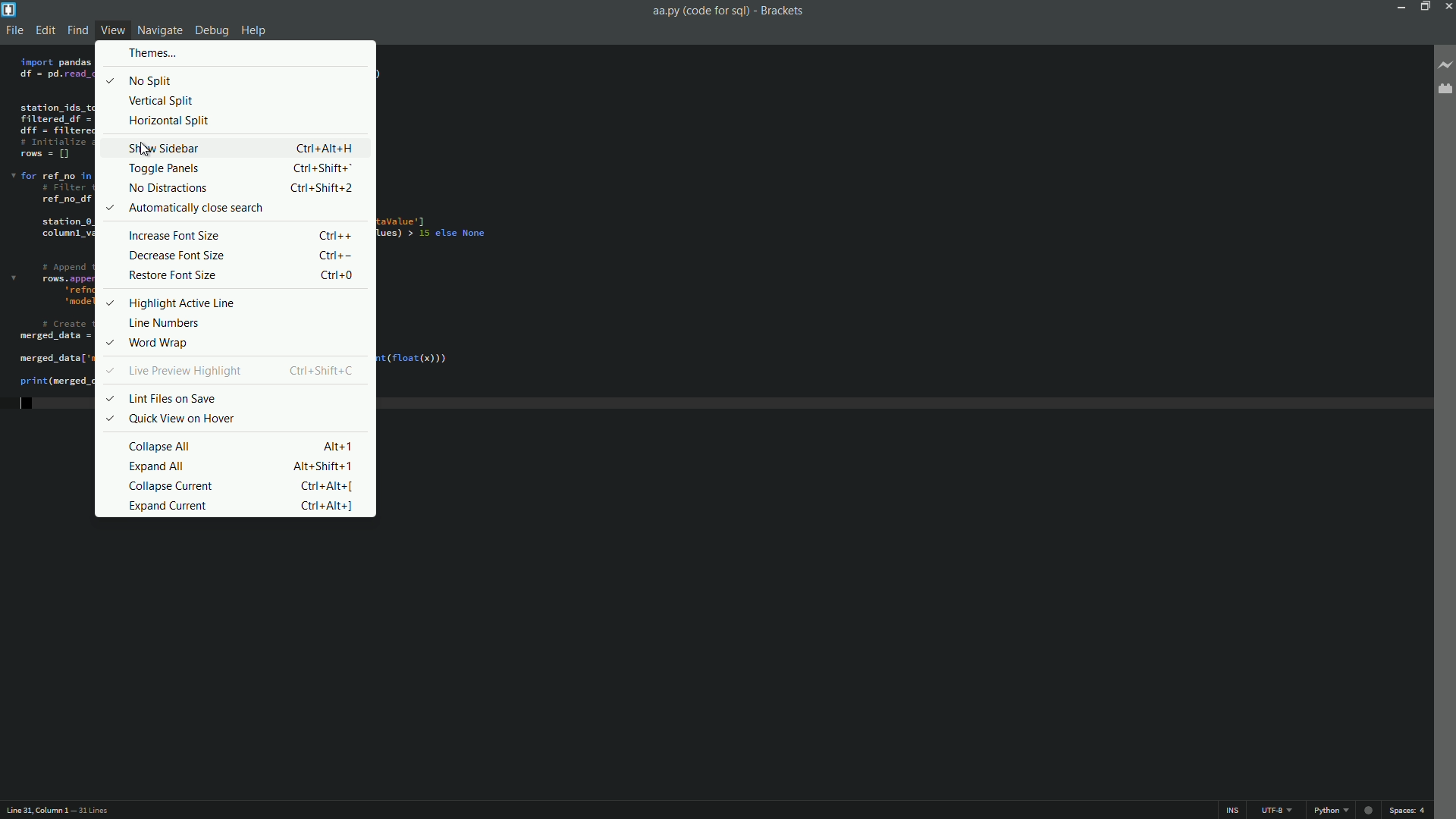 This screenshot has width=1456, height=819. Describe the element at coordinates (1423, 6) in the screenshot. I see `maximize` at that location.